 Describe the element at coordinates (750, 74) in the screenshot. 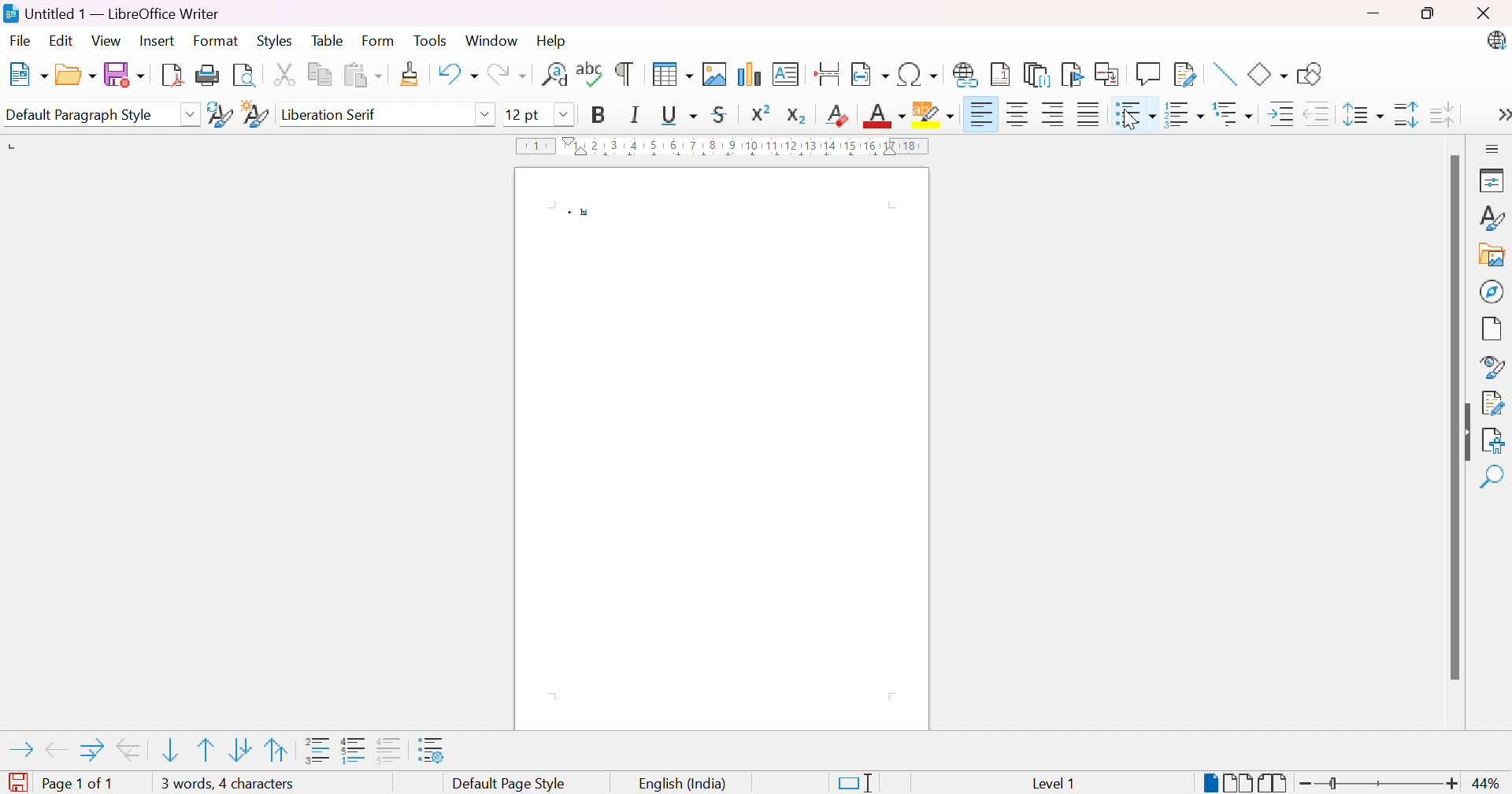

I see `Insert chart` at that location.